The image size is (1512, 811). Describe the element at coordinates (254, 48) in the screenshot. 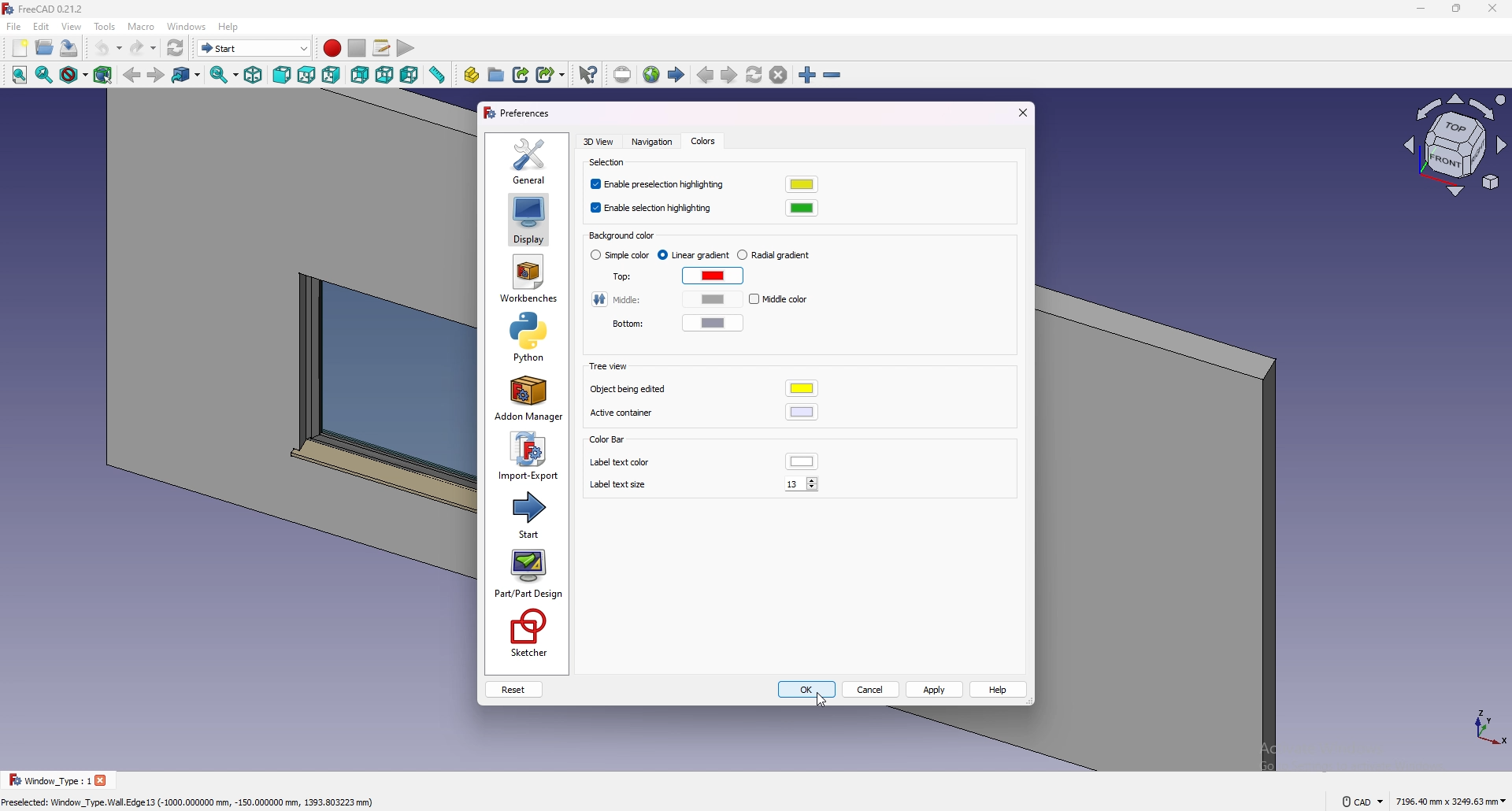

I see `switch between workbenches` at that location.